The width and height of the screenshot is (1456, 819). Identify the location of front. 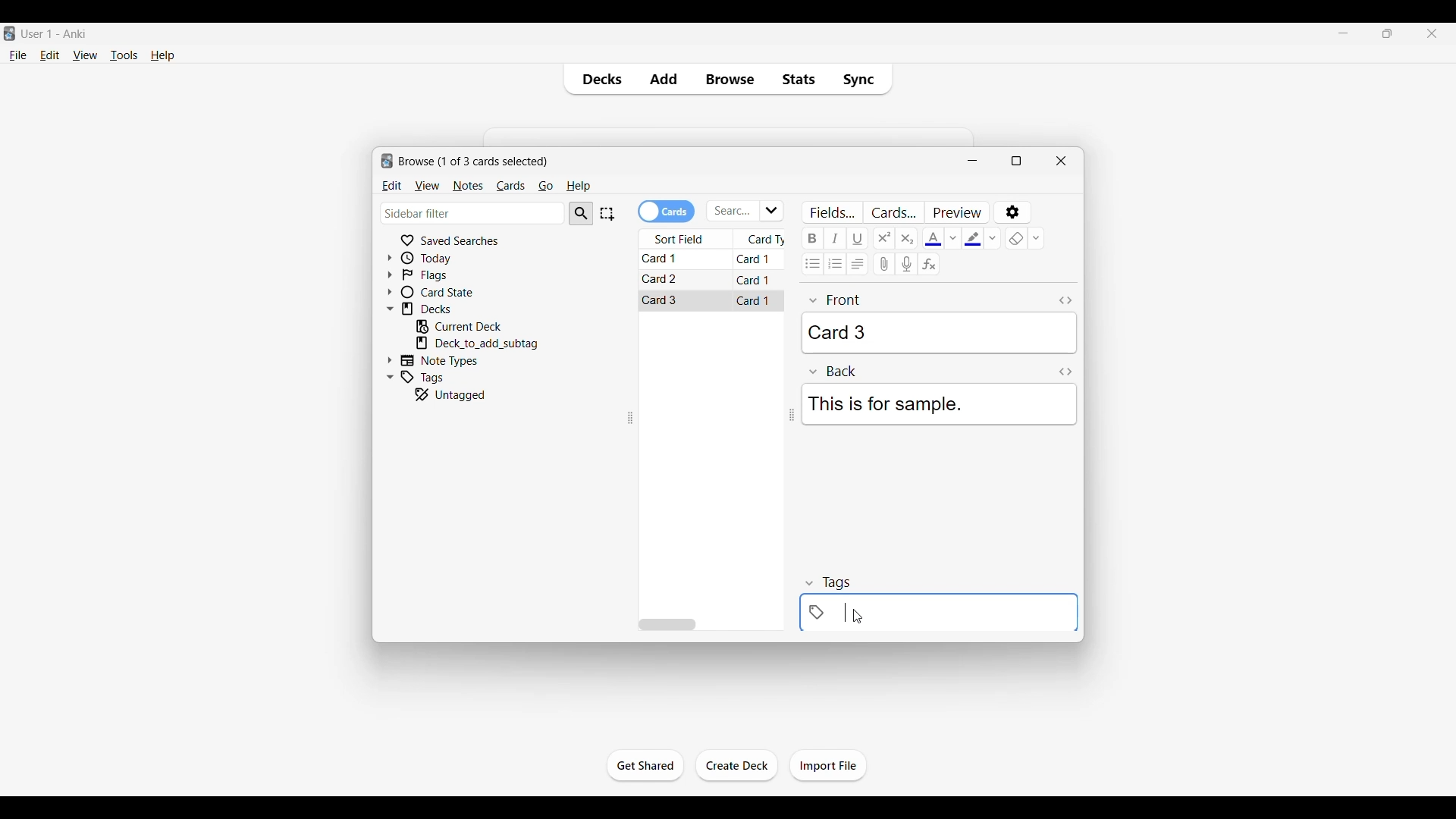
(836, 300).